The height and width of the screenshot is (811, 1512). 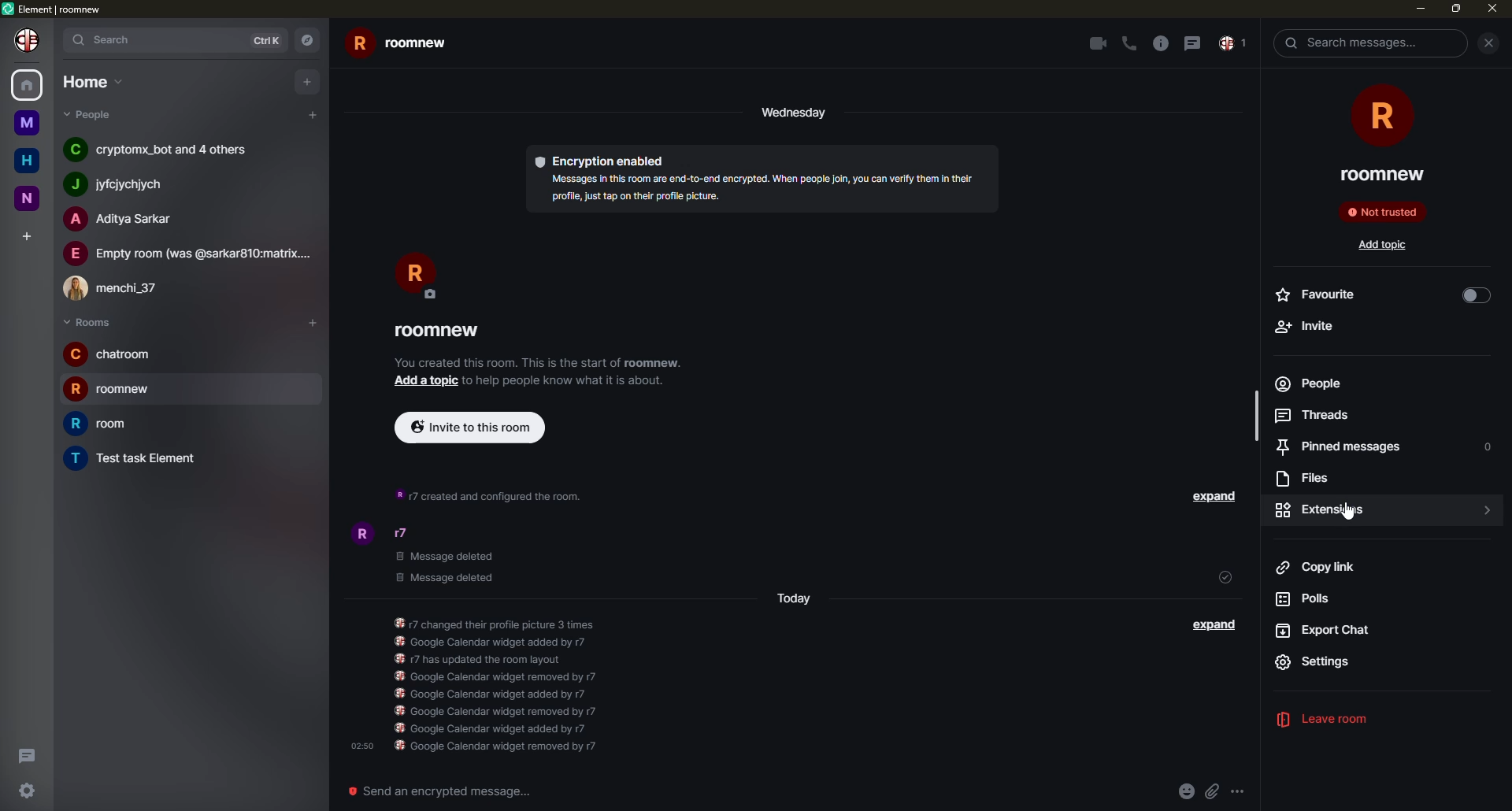 I want to click on people, so click(x=161, y=150).